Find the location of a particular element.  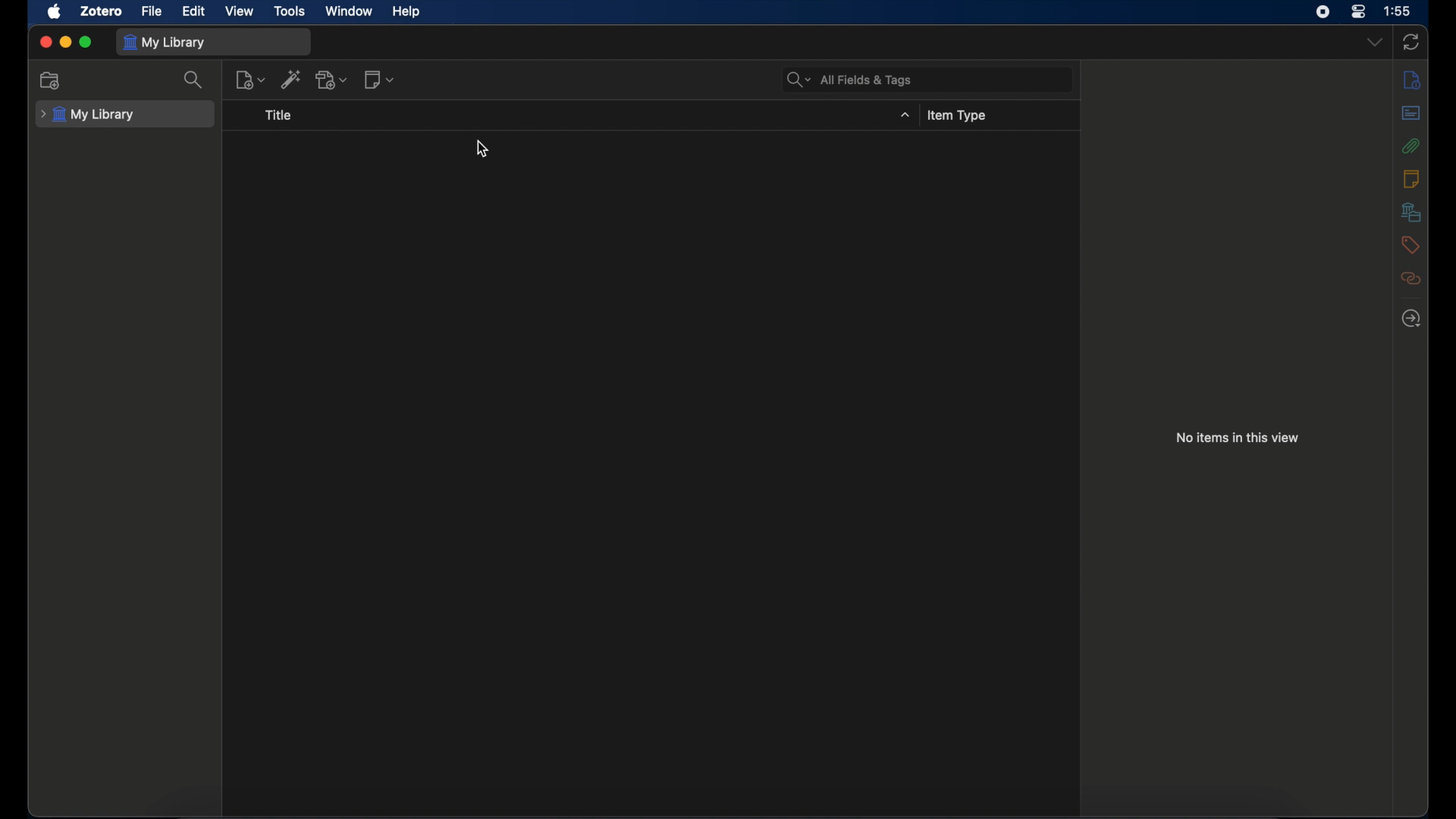

help is located at coordinates (406, 12).